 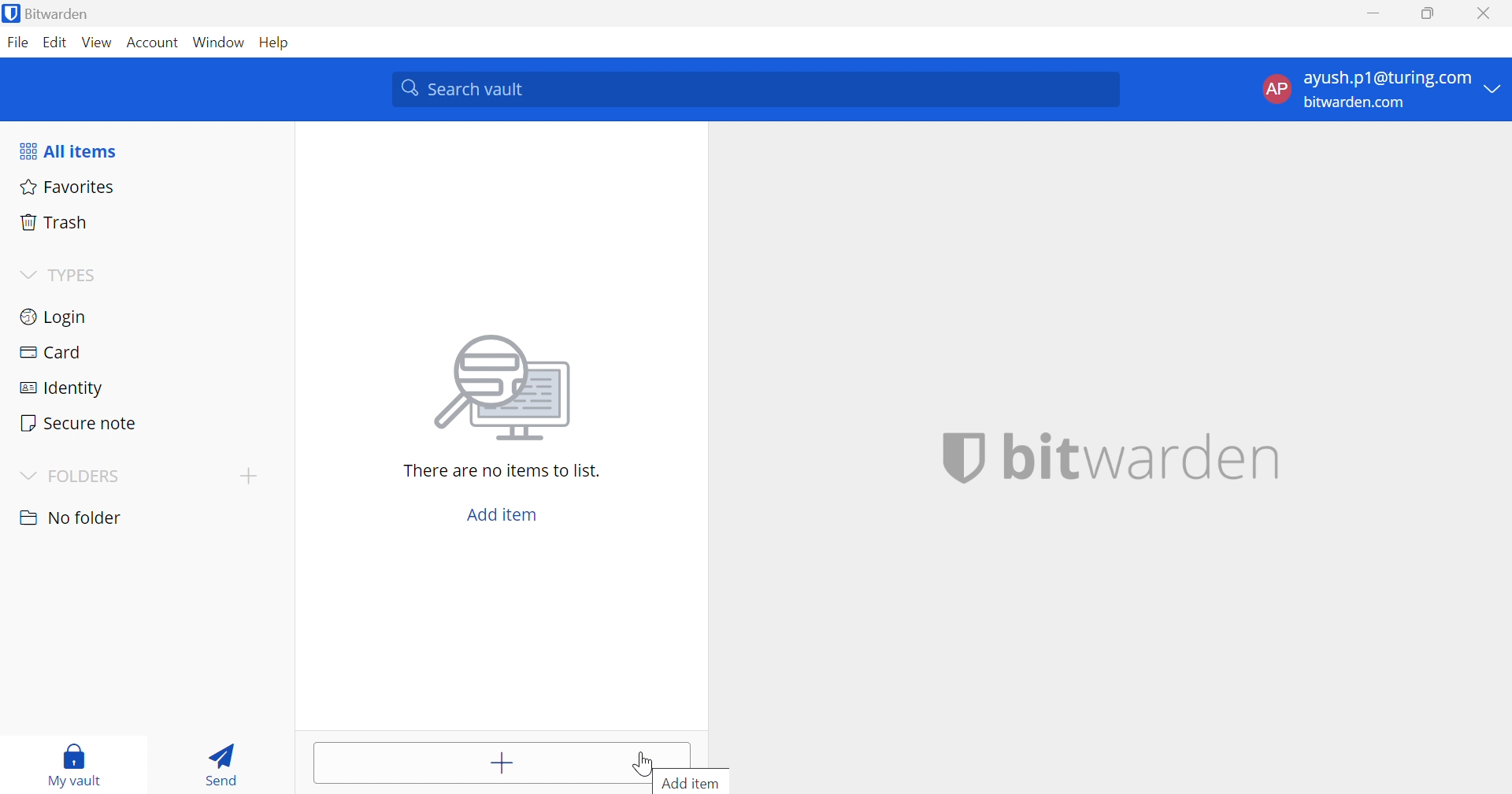 What do you see at coordinates (72, 475) in the screenshot?
I see `FOLDERS` at bounding box center [72, 475].